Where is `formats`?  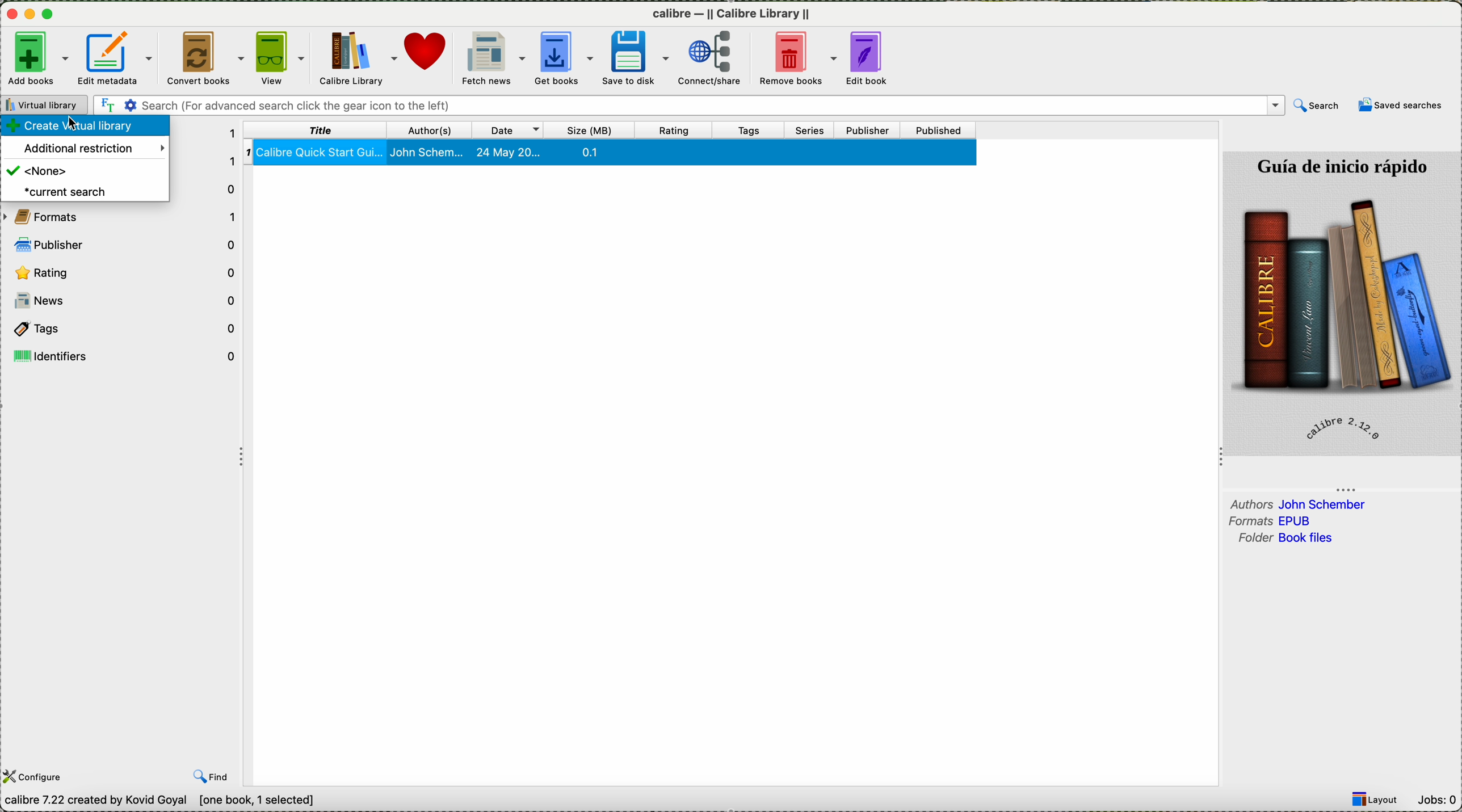 formats is located at coordinates (1275, 521).